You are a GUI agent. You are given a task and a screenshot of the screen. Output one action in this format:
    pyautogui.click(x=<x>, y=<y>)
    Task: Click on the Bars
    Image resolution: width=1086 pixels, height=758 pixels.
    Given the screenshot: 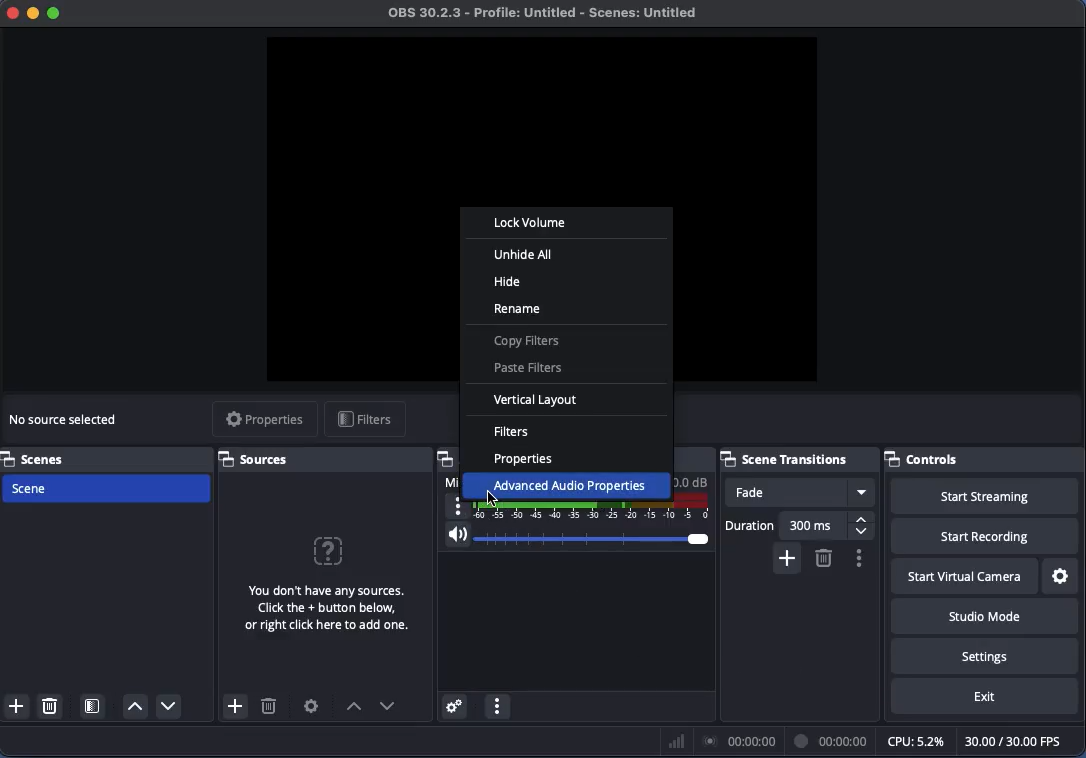 What is the action you would take?
    pyautogui.click(x=677, y=741)
    